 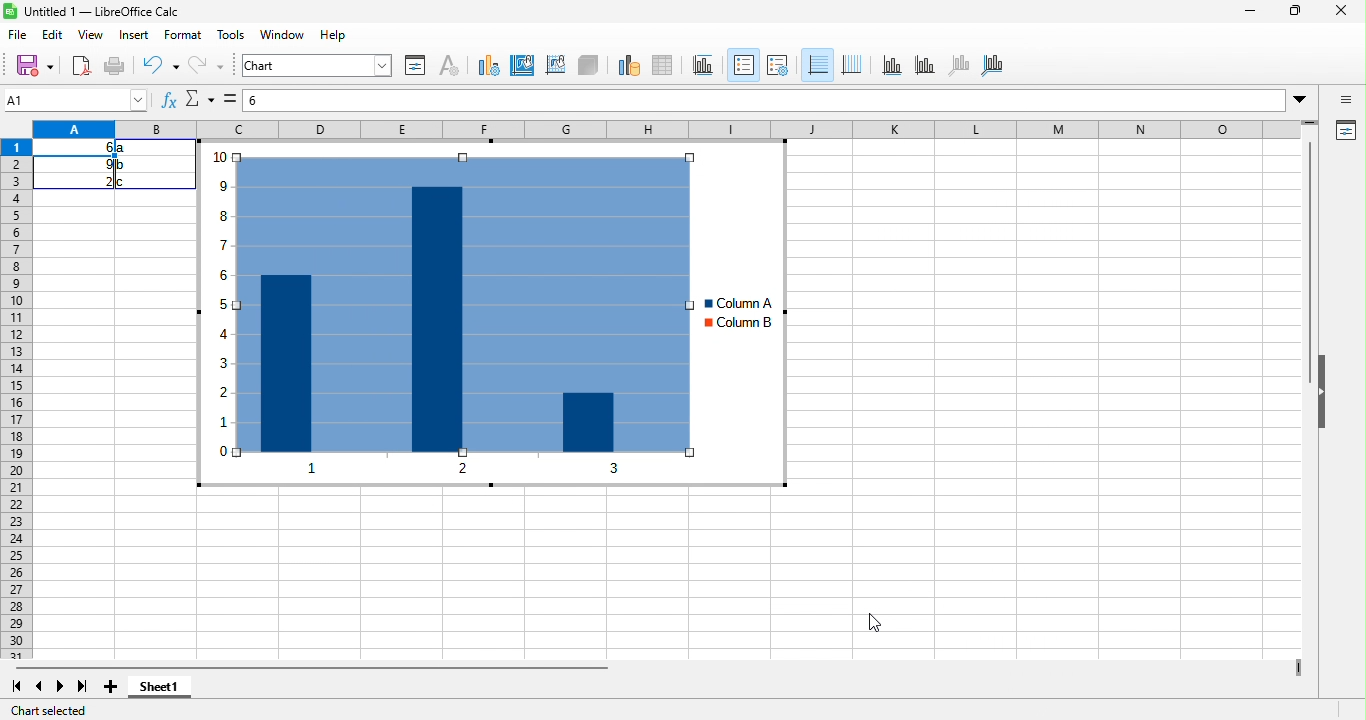 I want to click on format, so click(x=186, y=34).